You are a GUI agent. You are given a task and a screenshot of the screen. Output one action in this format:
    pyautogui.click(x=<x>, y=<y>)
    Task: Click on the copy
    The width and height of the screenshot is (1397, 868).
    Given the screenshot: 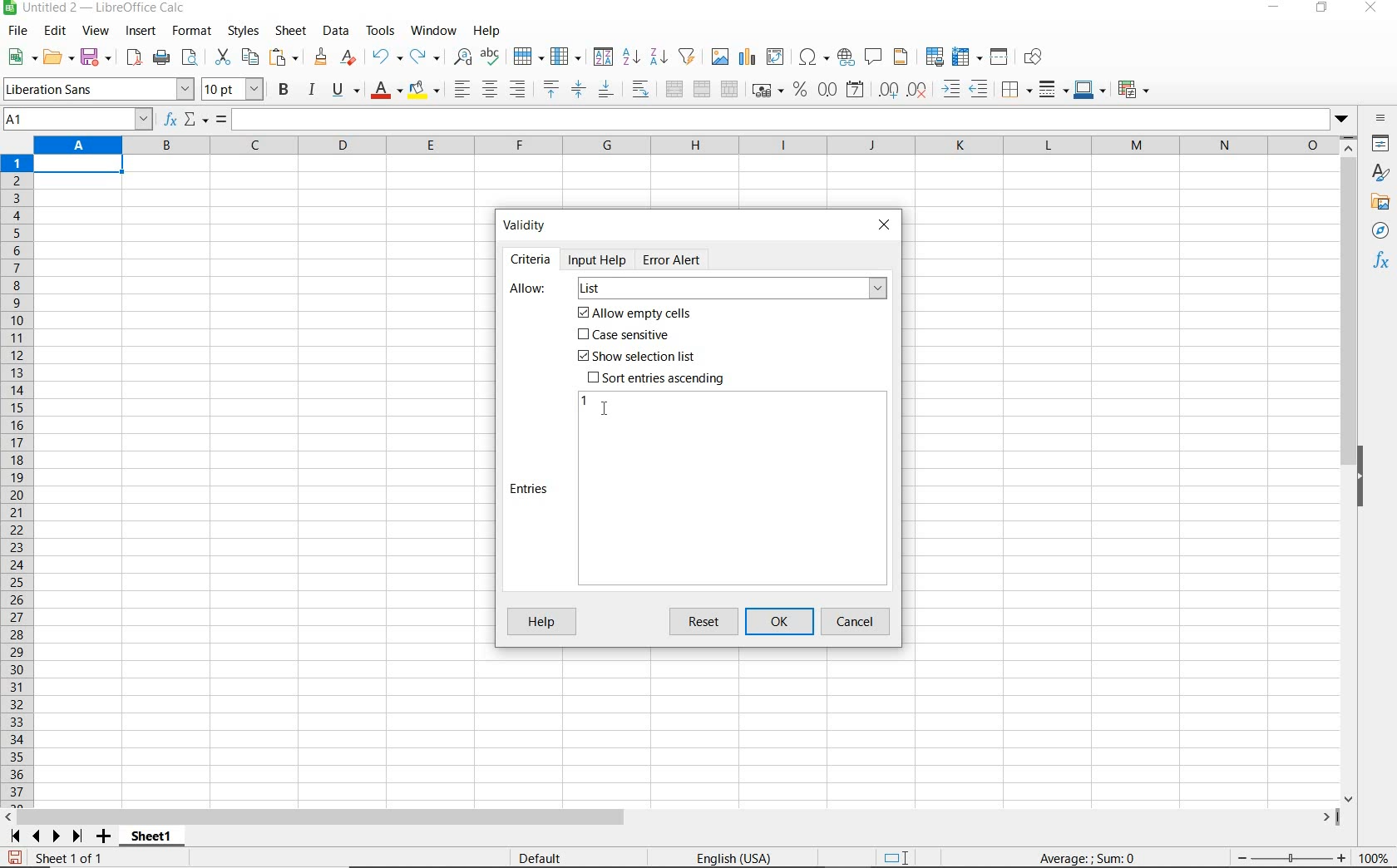 What is the action you would take?
    pyautogui.click(x=251, y=57)
    